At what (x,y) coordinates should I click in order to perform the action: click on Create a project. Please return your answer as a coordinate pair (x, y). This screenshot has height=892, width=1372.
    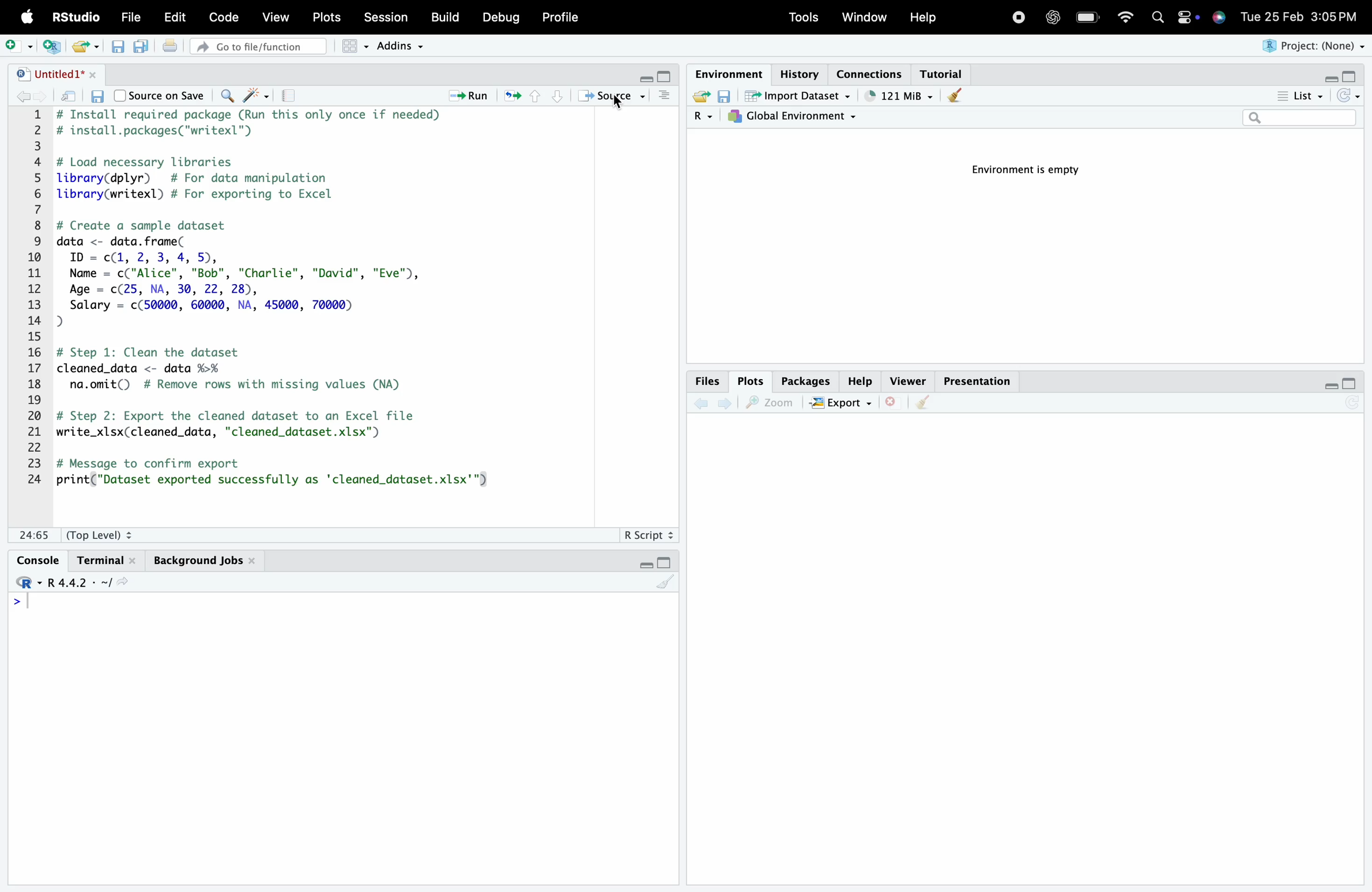
    Looking at the image, I should click on (49, 46).